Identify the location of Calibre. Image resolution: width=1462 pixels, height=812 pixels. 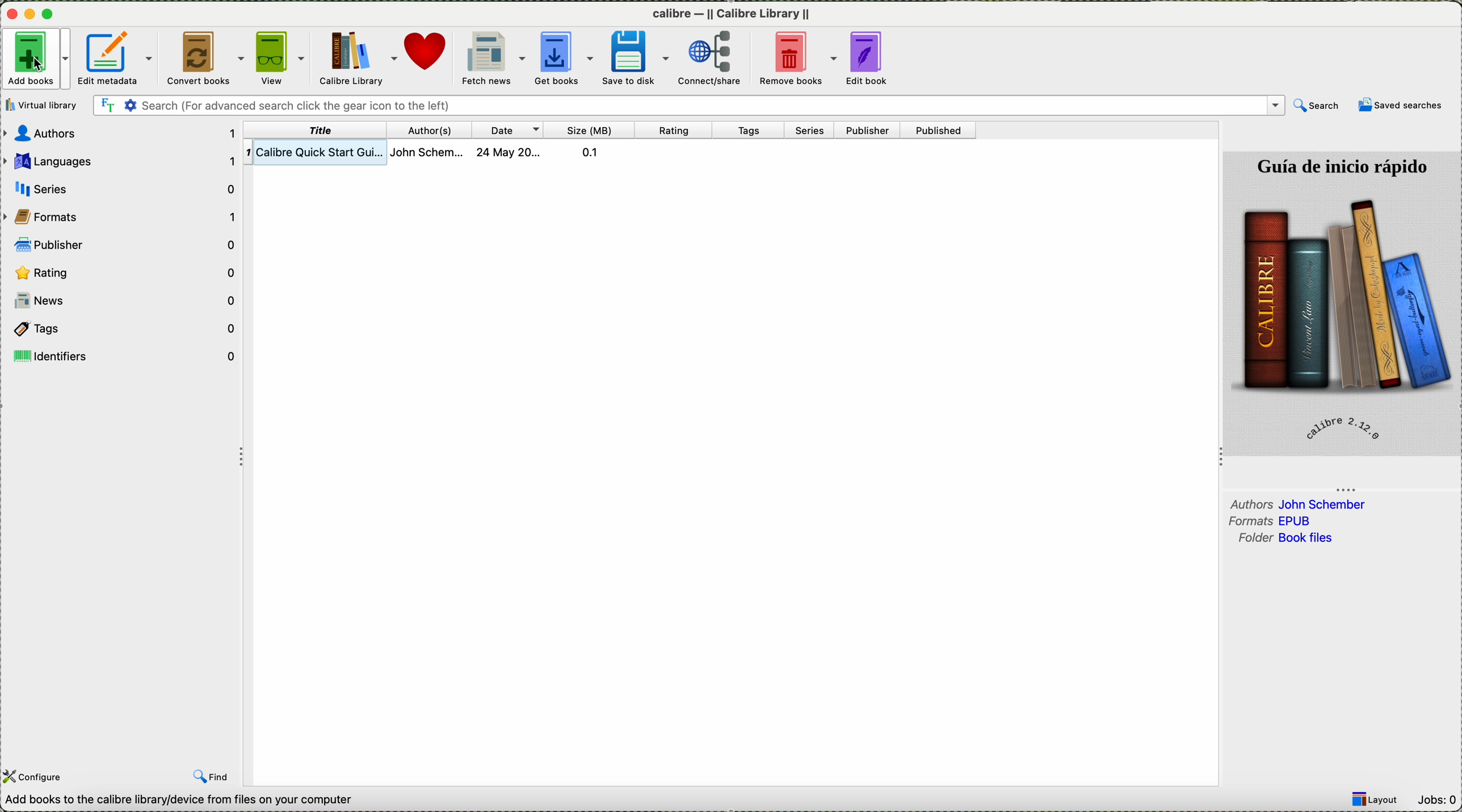
(731, 15).